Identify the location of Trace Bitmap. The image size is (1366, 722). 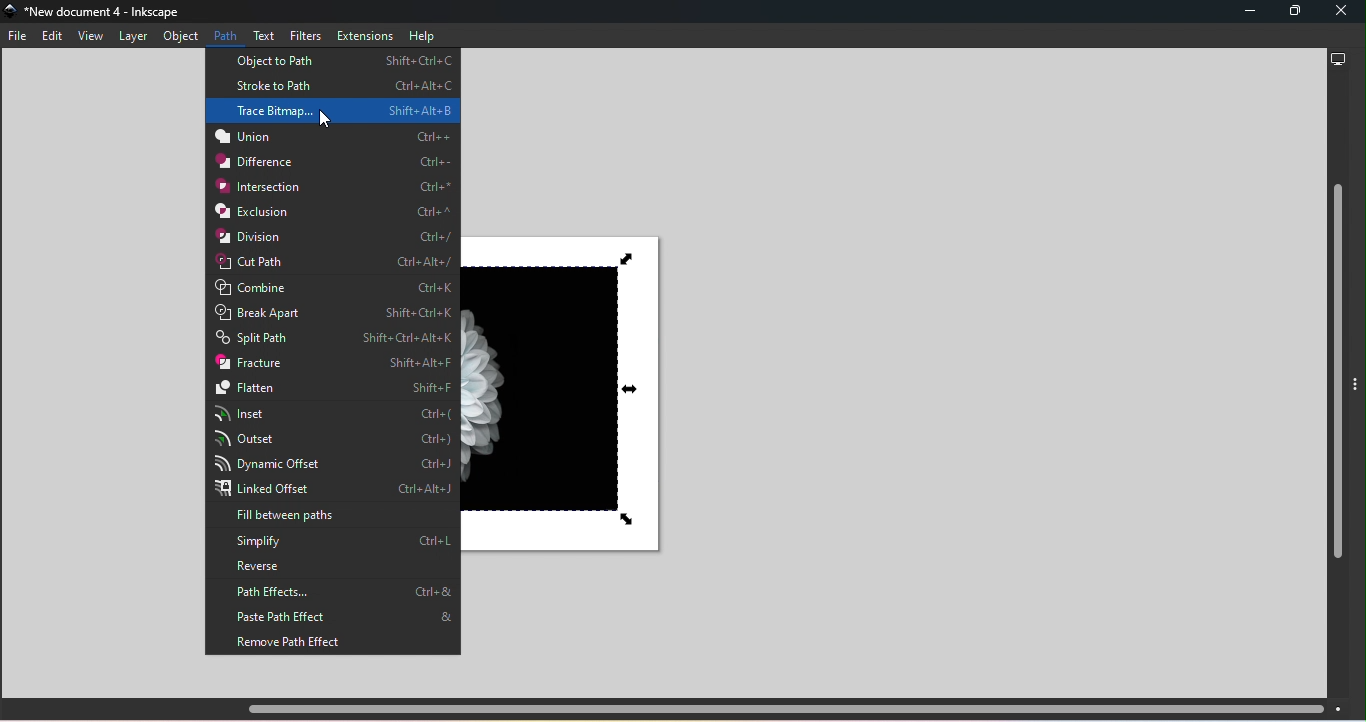
(337, 109).